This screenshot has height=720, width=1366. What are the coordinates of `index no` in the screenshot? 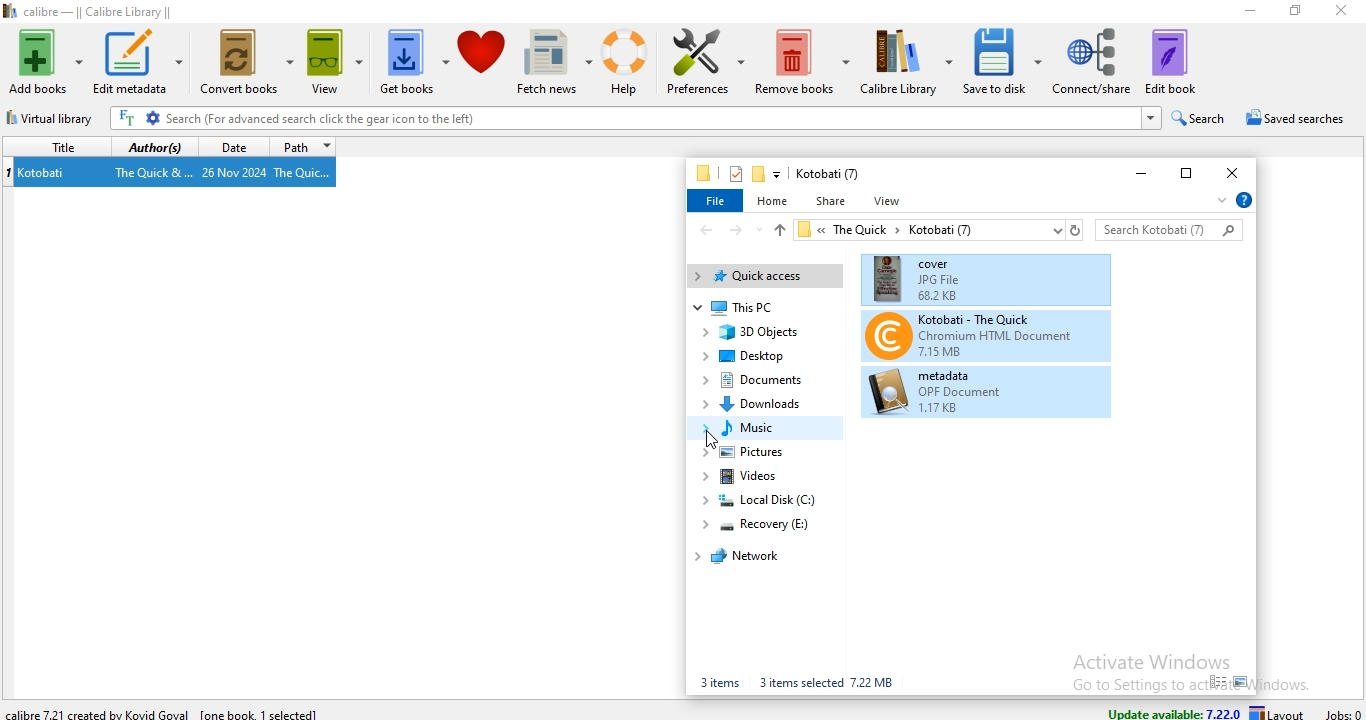 It's located at (9, 172).